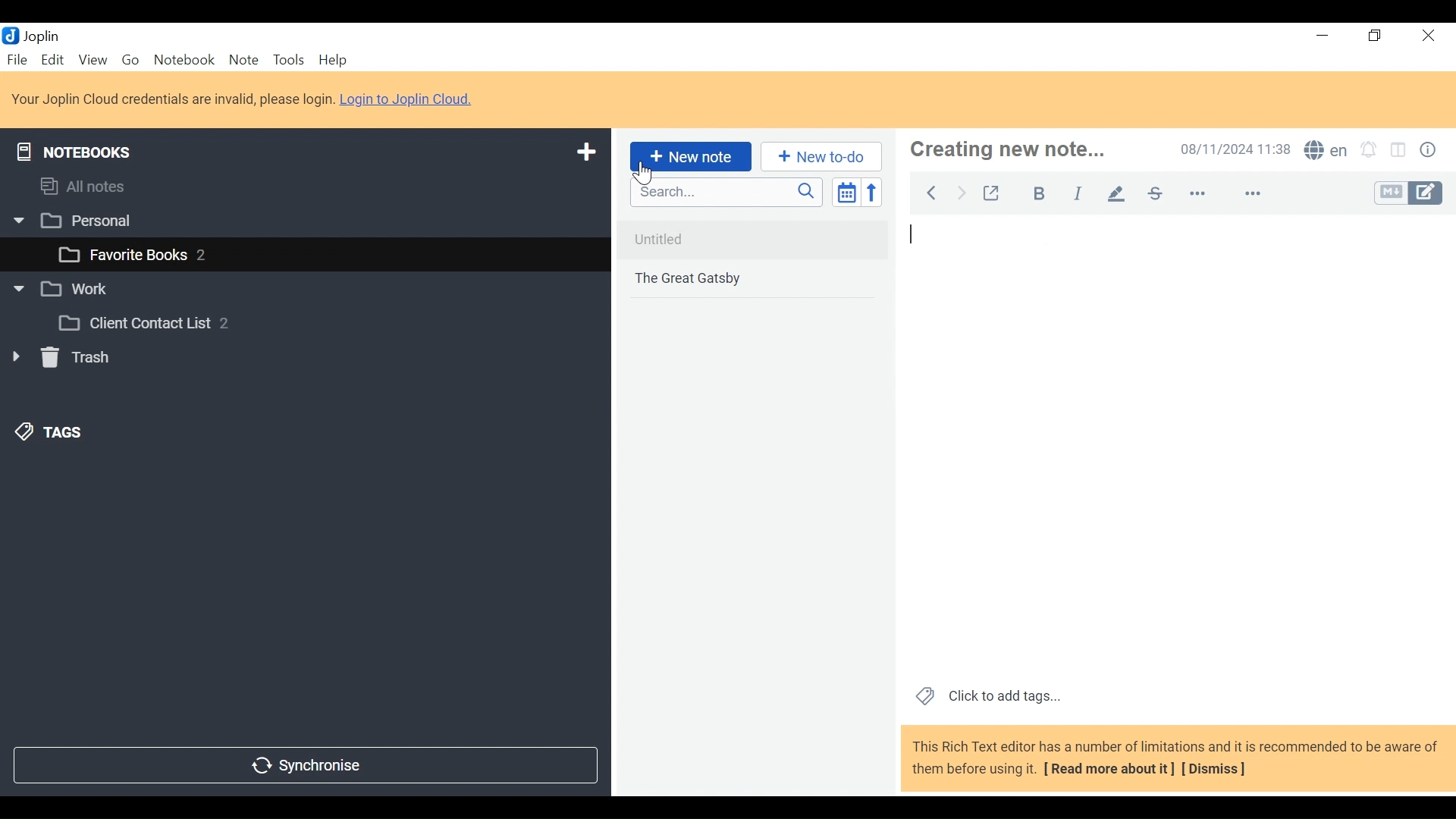 The image size is (1456, 819). Describe the element at coordinates (128, 61) in the screenshot. I see `Go` at that location.